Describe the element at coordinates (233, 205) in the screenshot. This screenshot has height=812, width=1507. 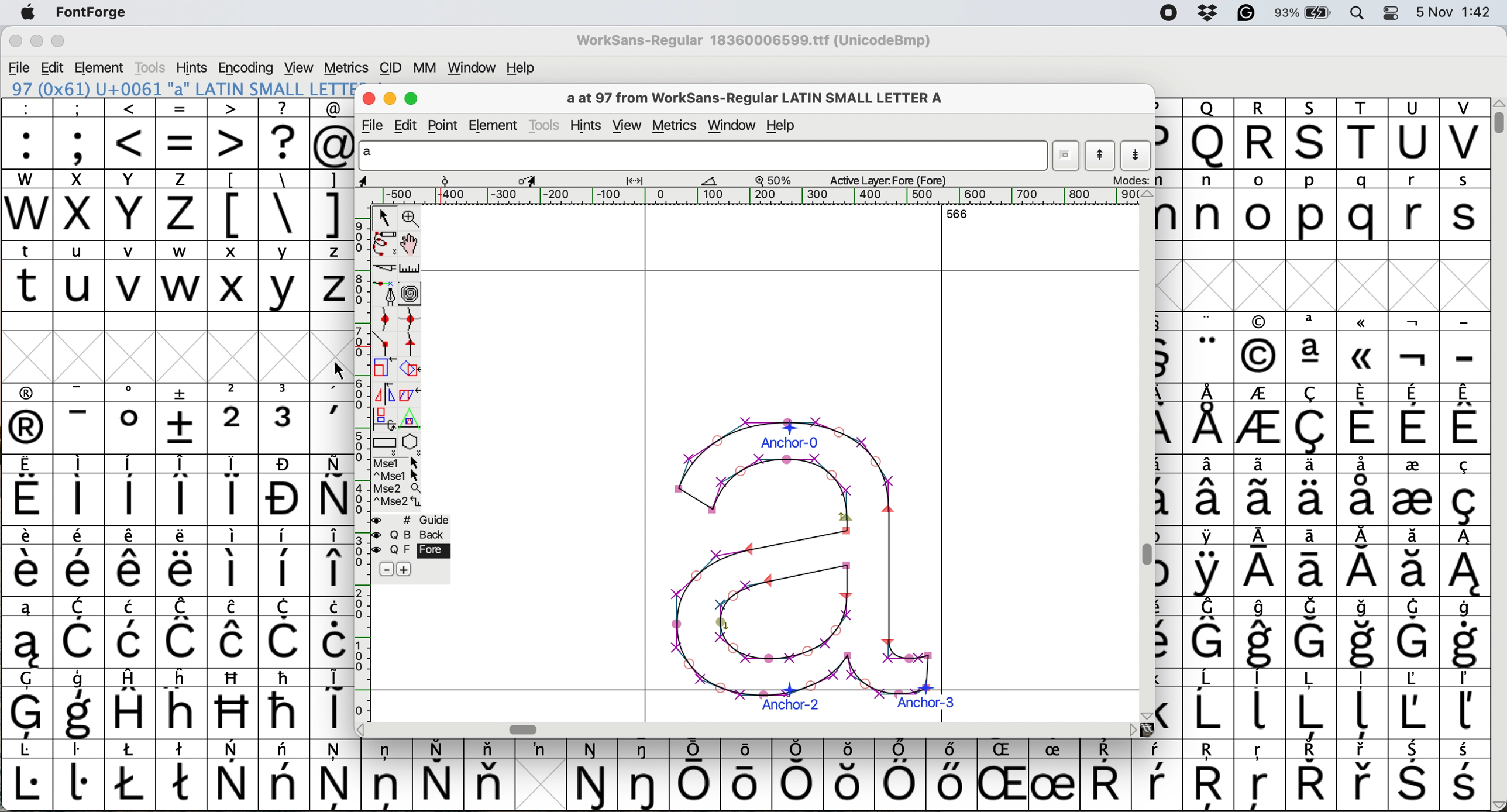
I see `[` at that location.